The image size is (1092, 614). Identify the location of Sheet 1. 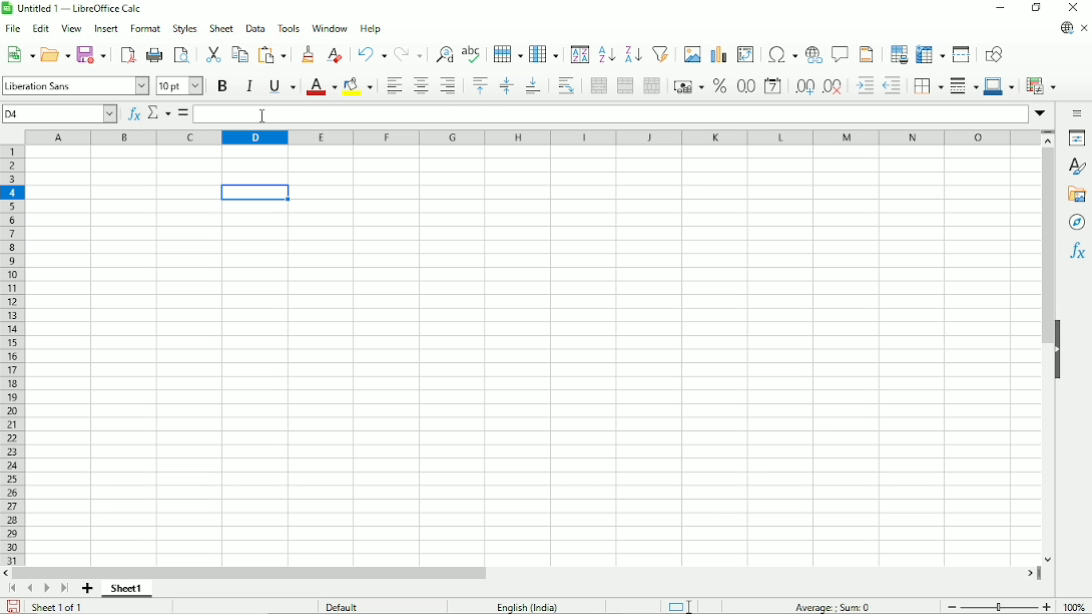
(127, 590).